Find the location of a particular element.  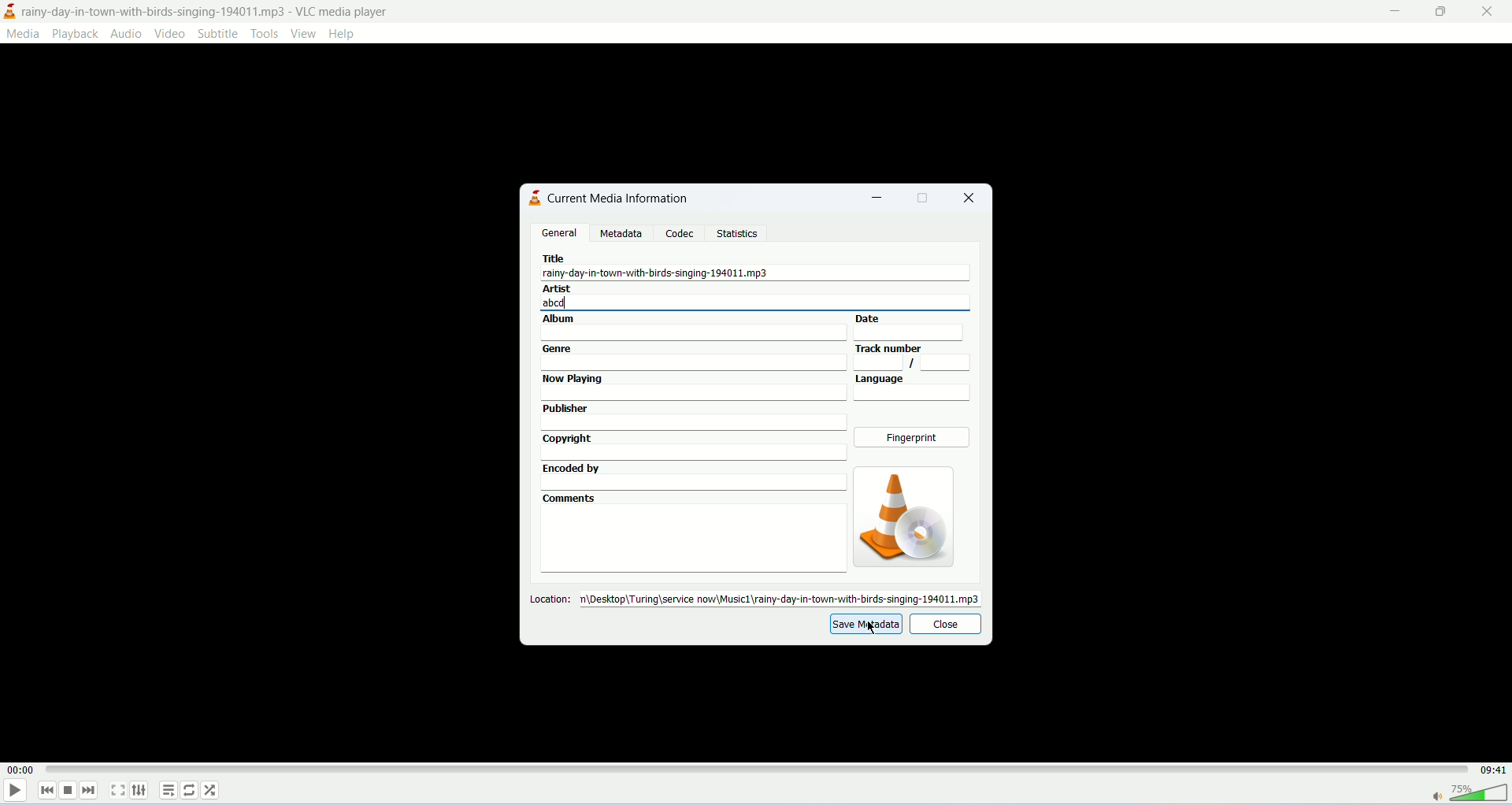

media is located at coordinates (26, 35).